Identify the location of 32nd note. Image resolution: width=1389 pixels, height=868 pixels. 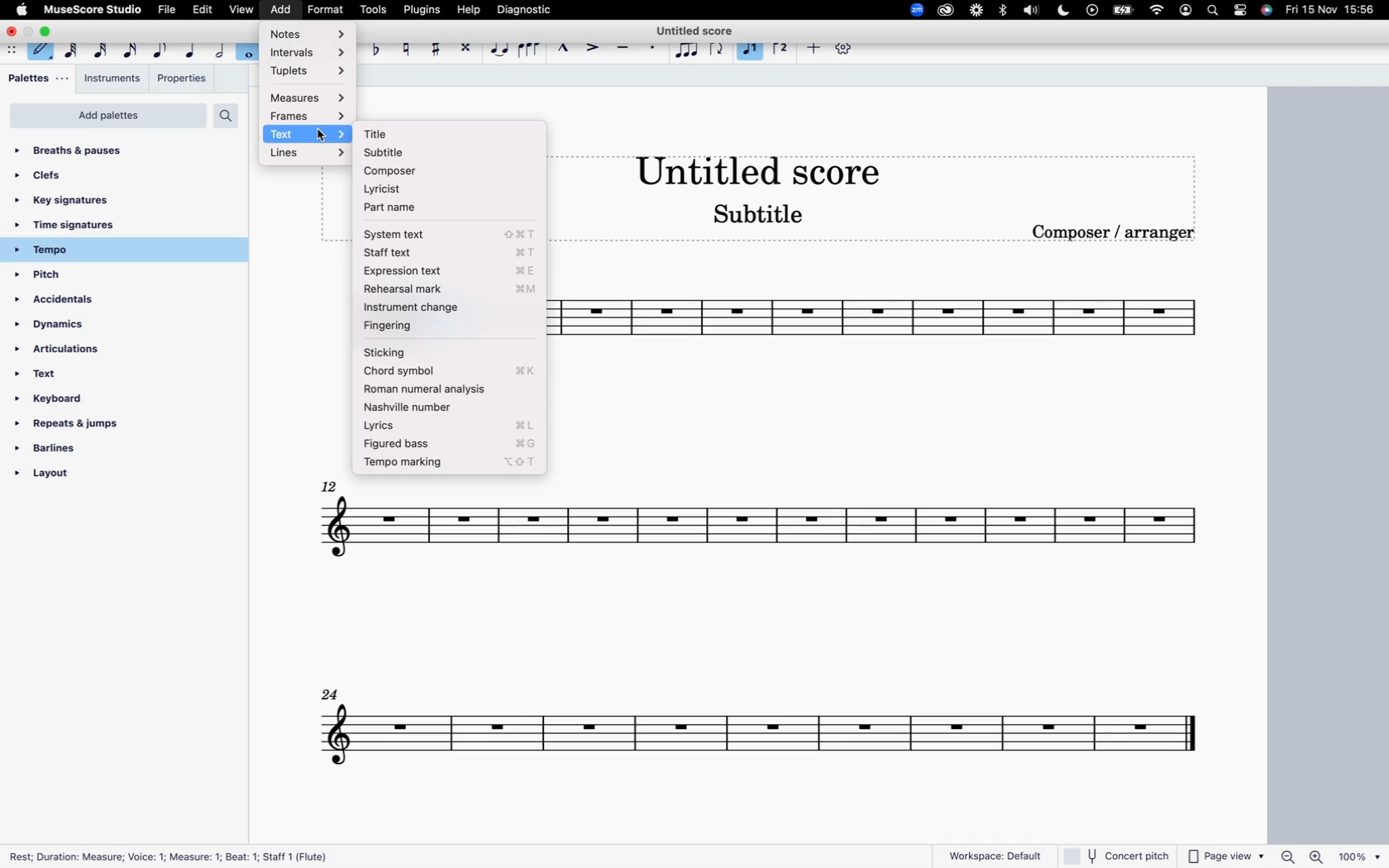
(98, 47).